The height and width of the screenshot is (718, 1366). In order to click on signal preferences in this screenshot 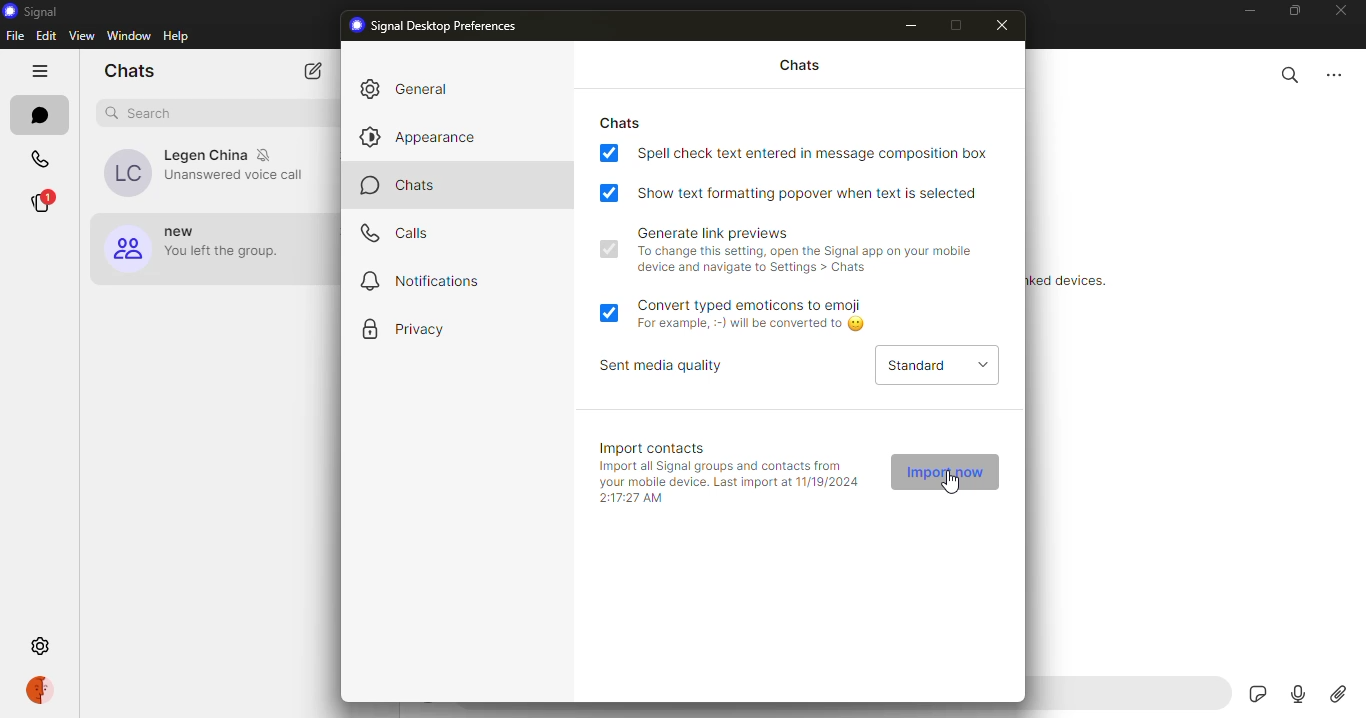, I will do `click(438, 26)`.